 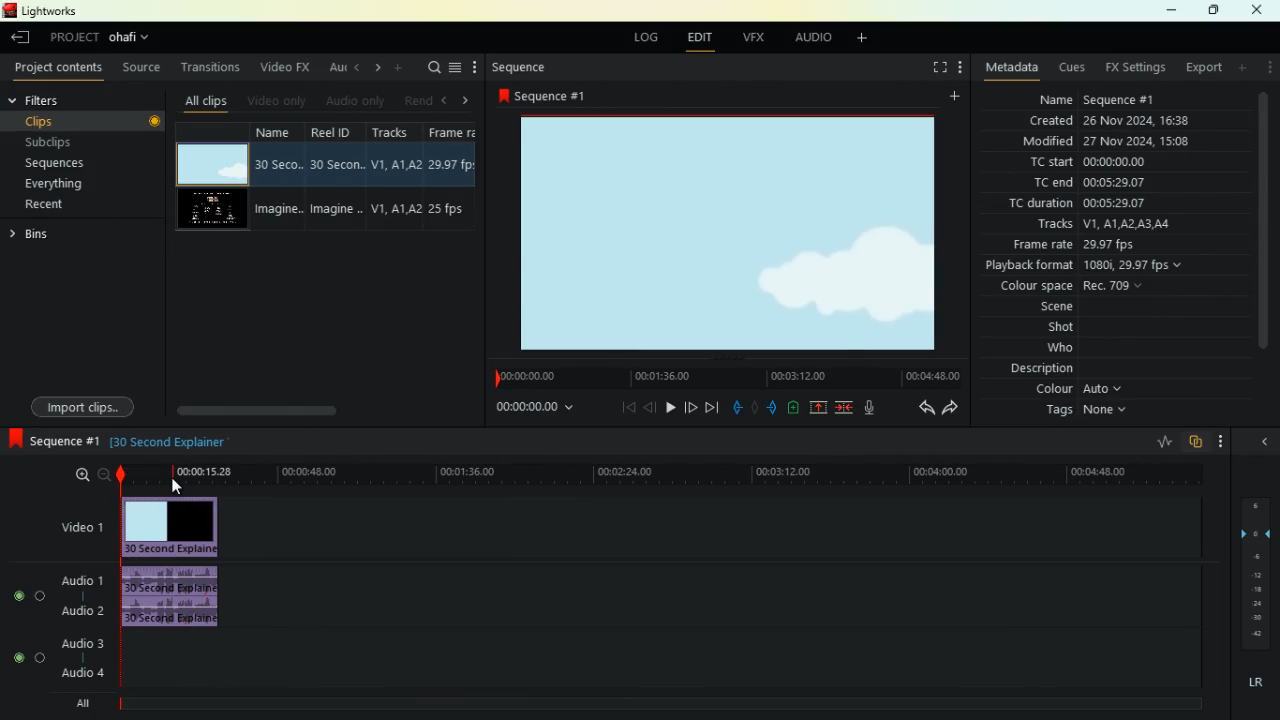 What do you see at coordinates (176, 528) in the screenshot?
I see `video` at bounding box center [176, 528].